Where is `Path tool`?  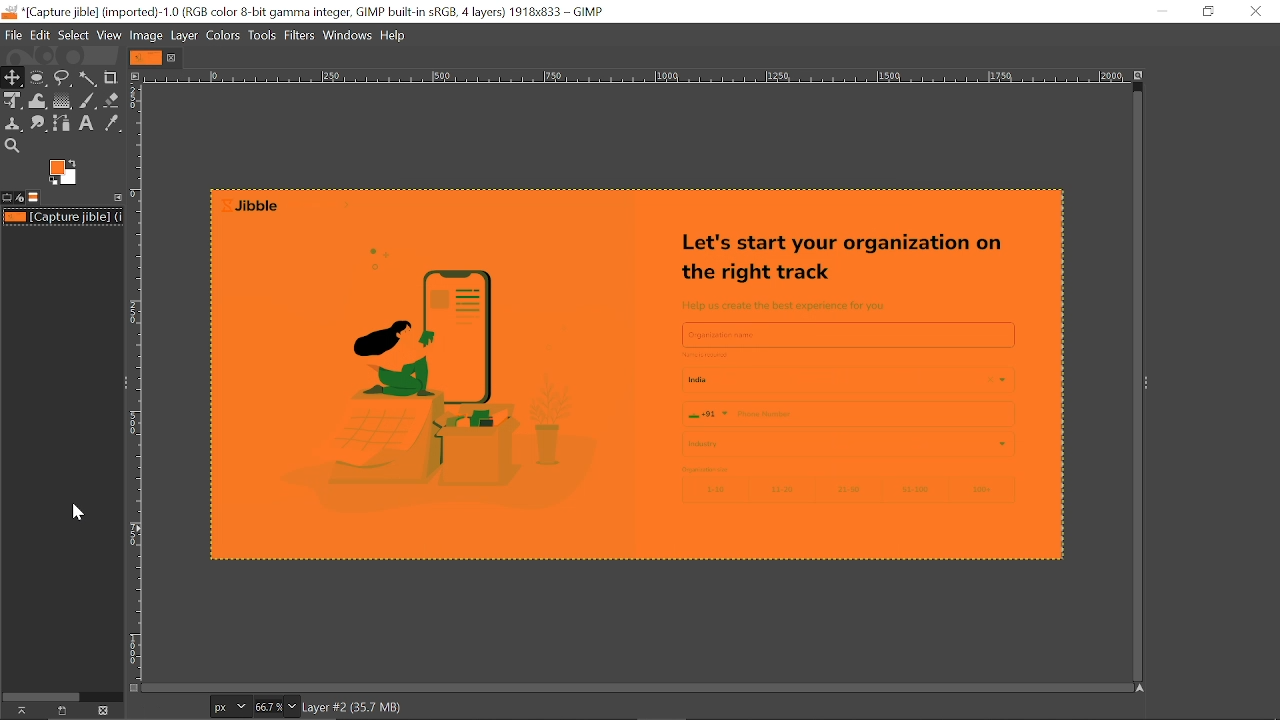
Path tool is located at coordinates (64, 122).